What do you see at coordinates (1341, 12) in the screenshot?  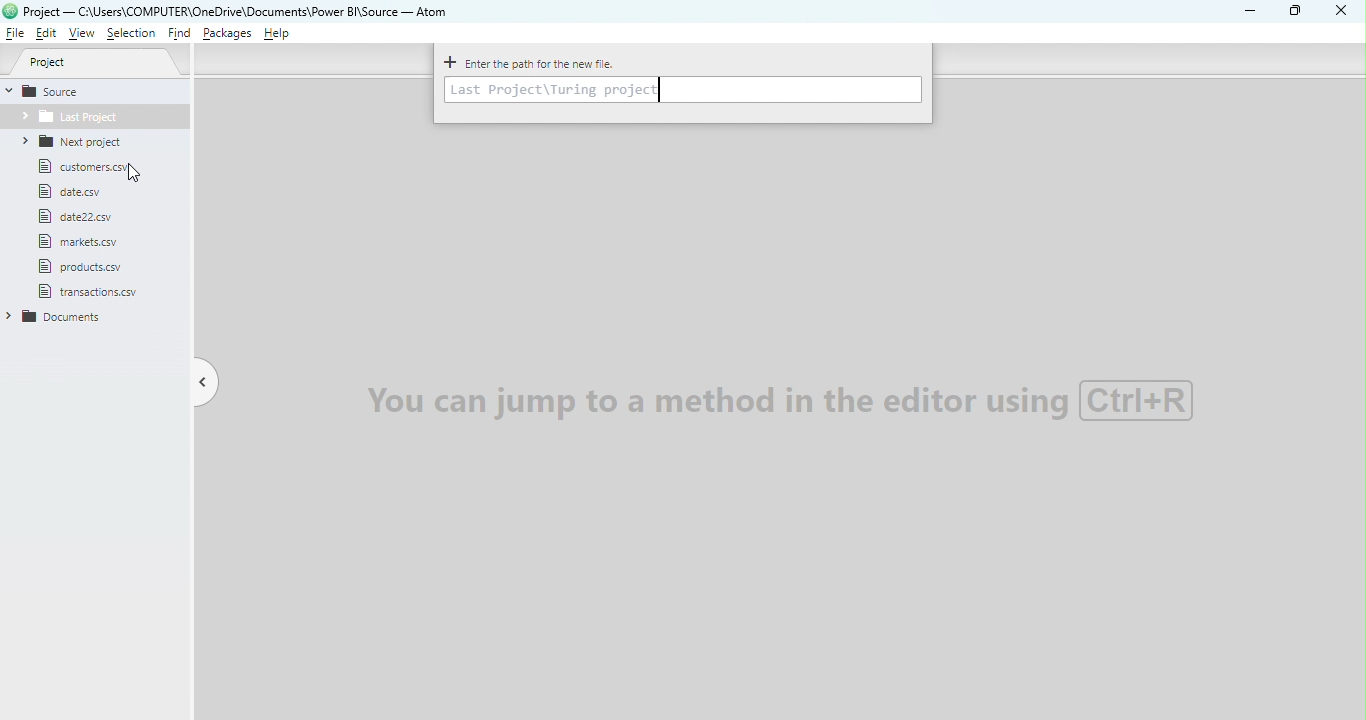 I see `Close` at bounding box center [1341, 12].